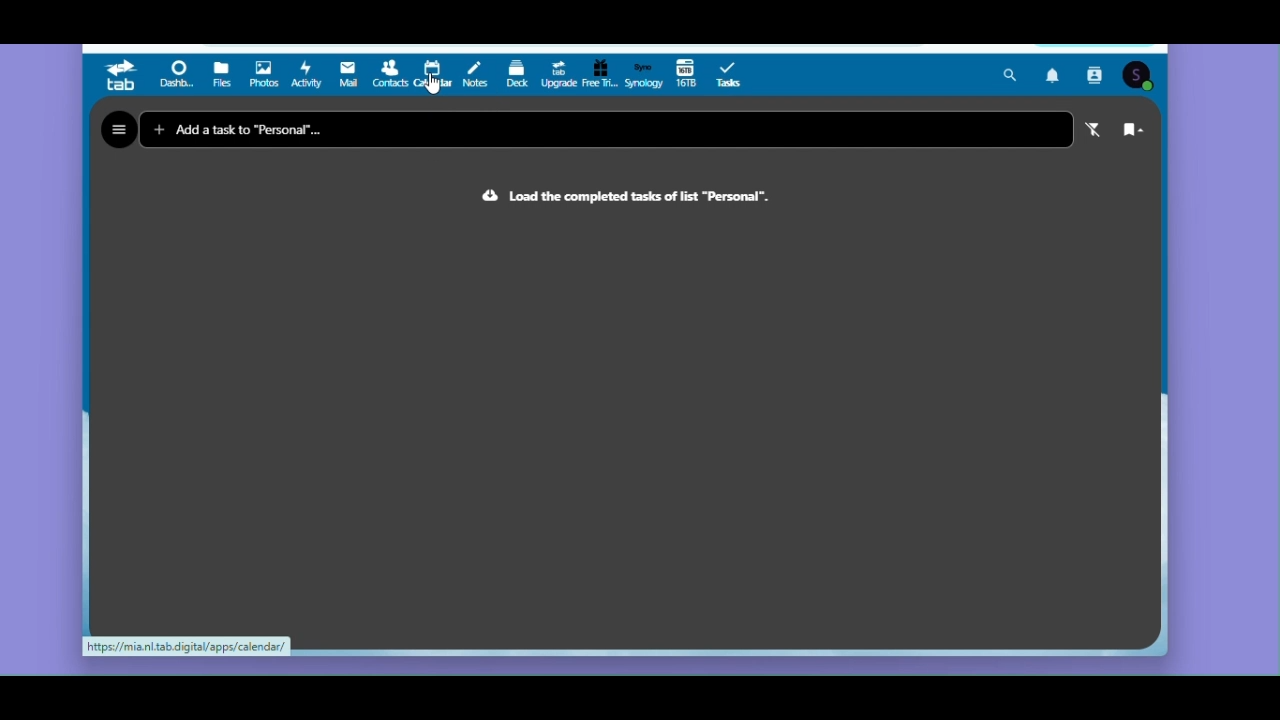 The width and height of the screenshot is (1280, 720). Describe the element at coordinates (432, 83) in the screenshot. I see `Cursor` at that location.